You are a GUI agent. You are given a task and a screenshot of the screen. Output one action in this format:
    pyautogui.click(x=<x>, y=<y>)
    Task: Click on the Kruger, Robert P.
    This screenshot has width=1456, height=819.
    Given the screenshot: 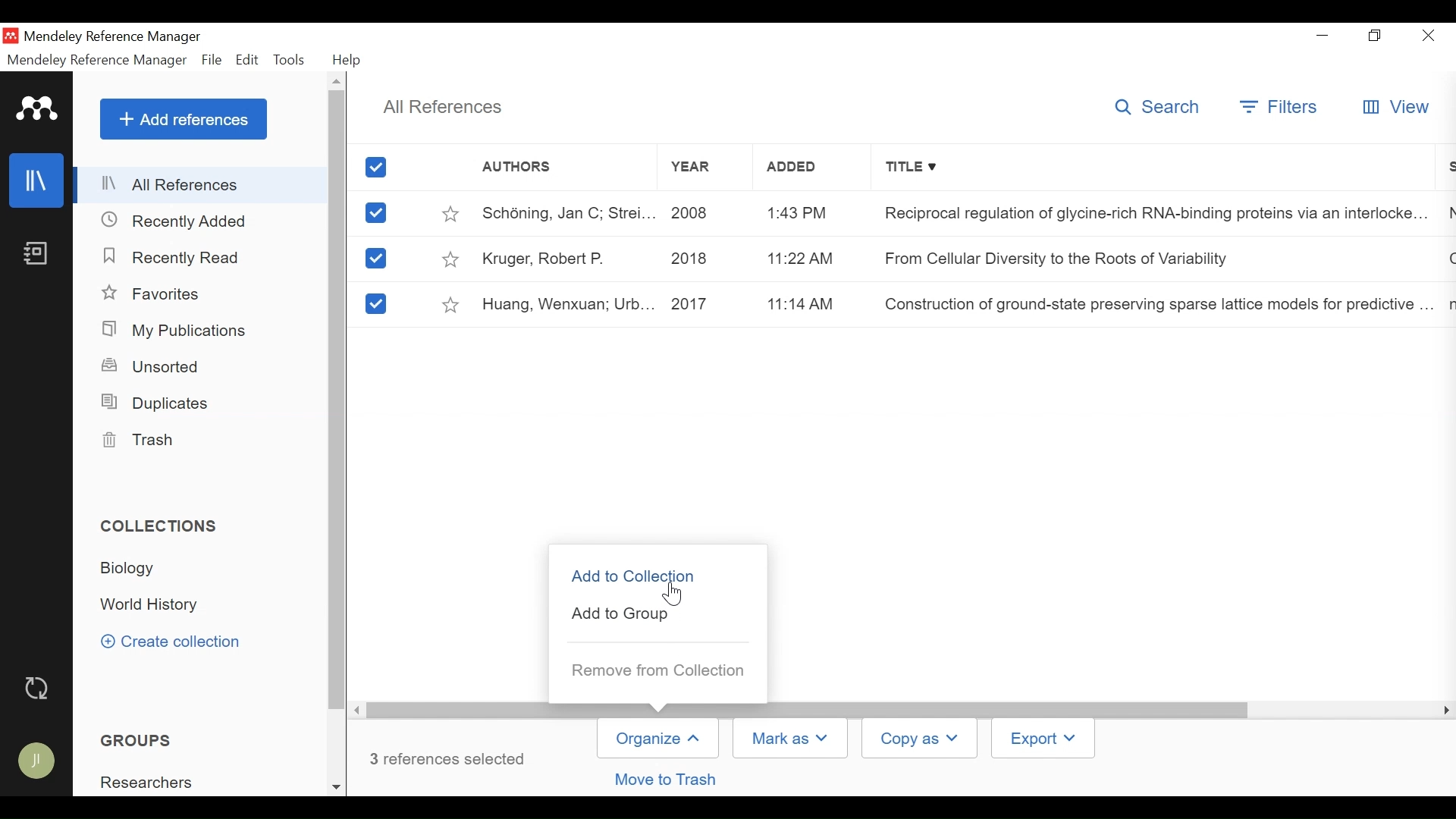 What is the action you would take?
    pyautogui.click(x=567, y=257)
    